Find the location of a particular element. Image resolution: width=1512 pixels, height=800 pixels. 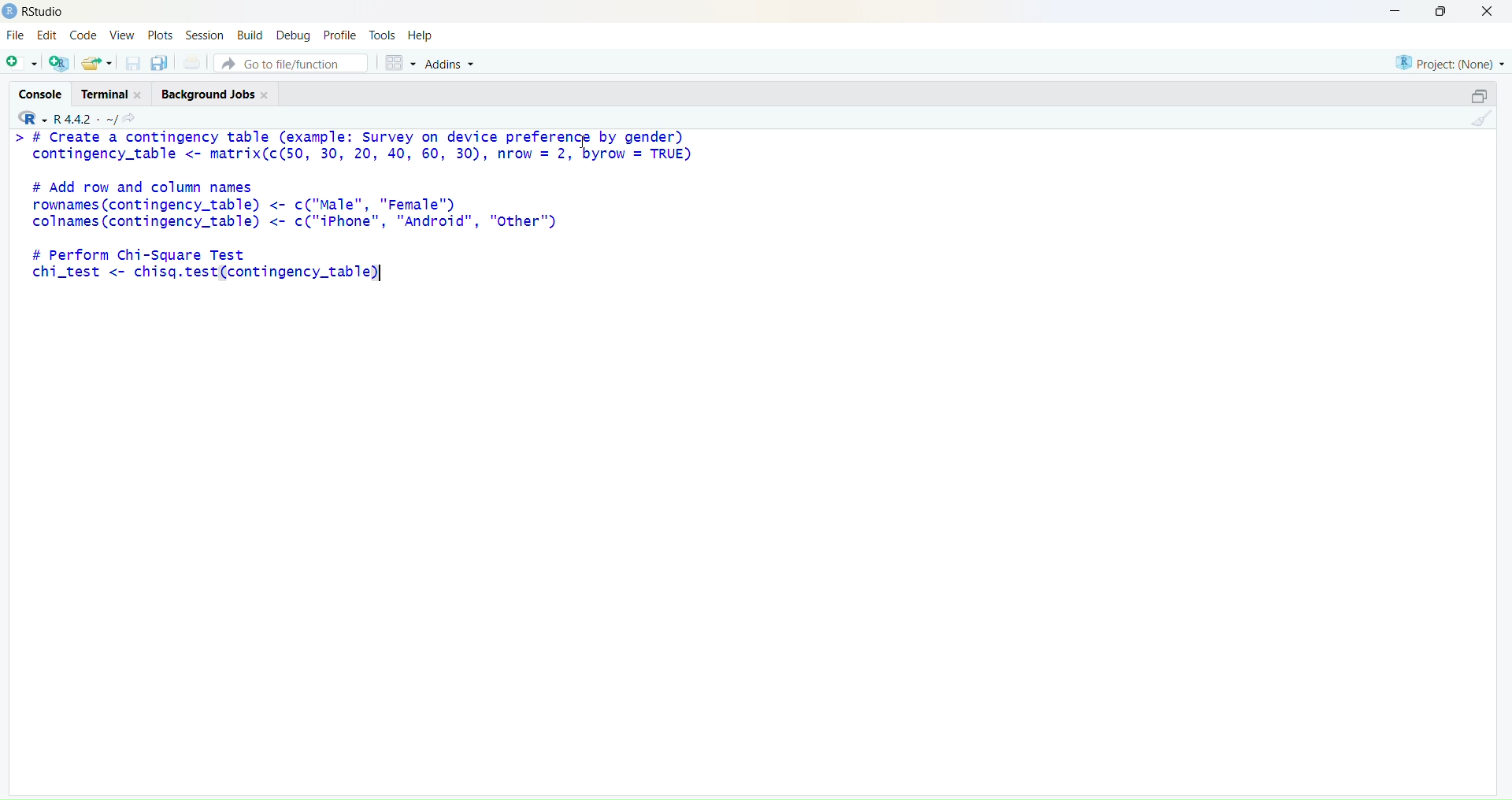

save is located at coordinates (134, 63).